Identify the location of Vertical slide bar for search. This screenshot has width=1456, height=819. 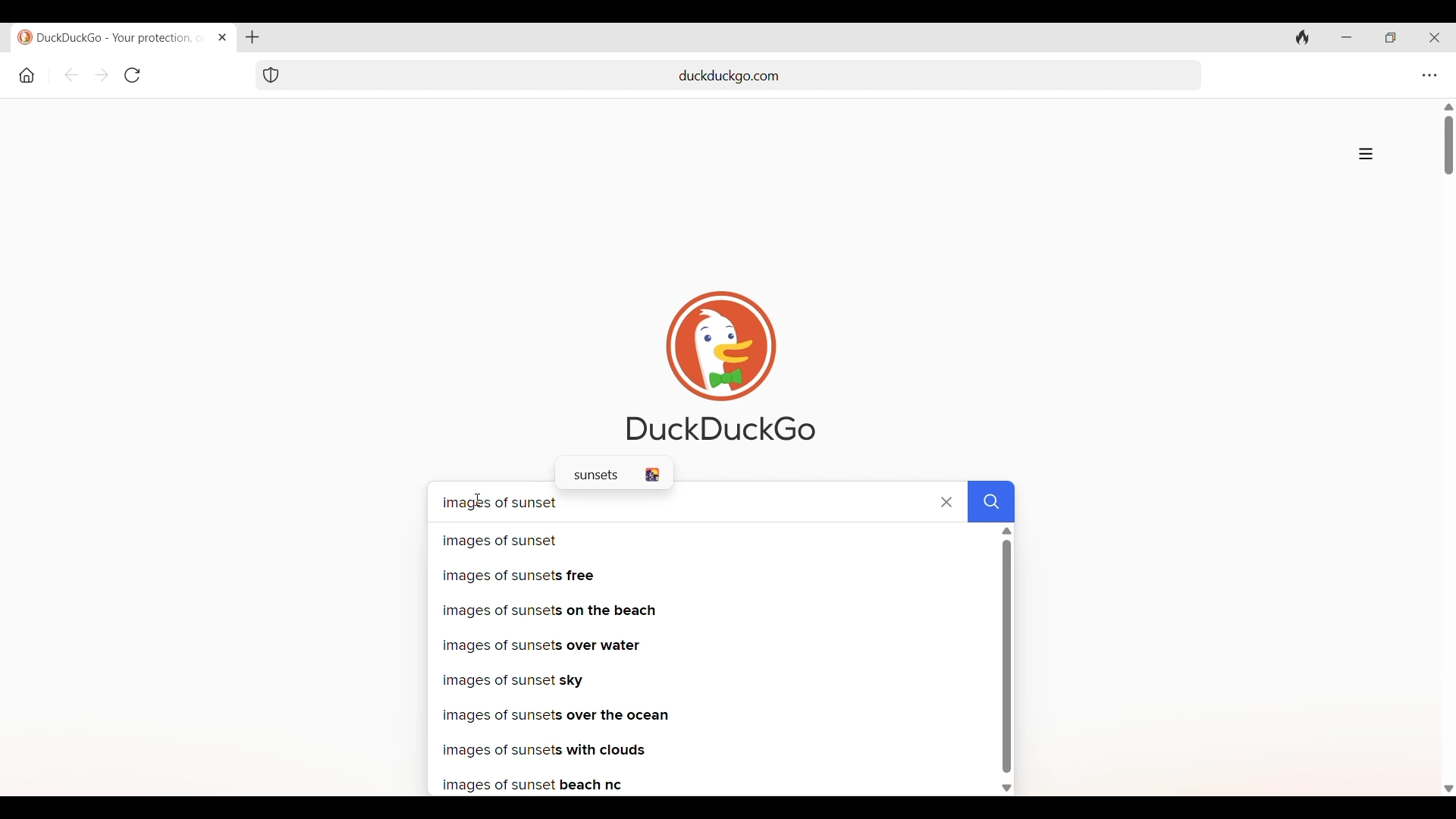
(1006, 656).